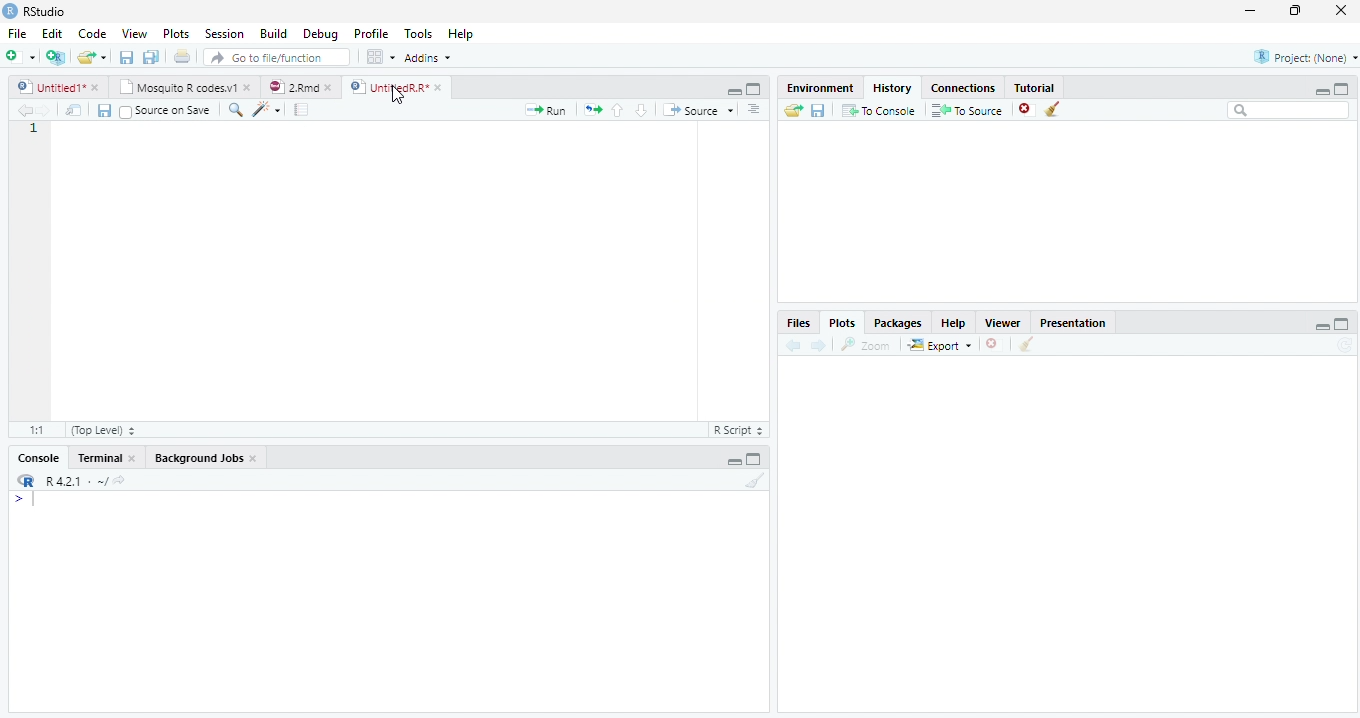 This screenshot has height=718, width=1360. I want to click on Source, so click(701, 111).